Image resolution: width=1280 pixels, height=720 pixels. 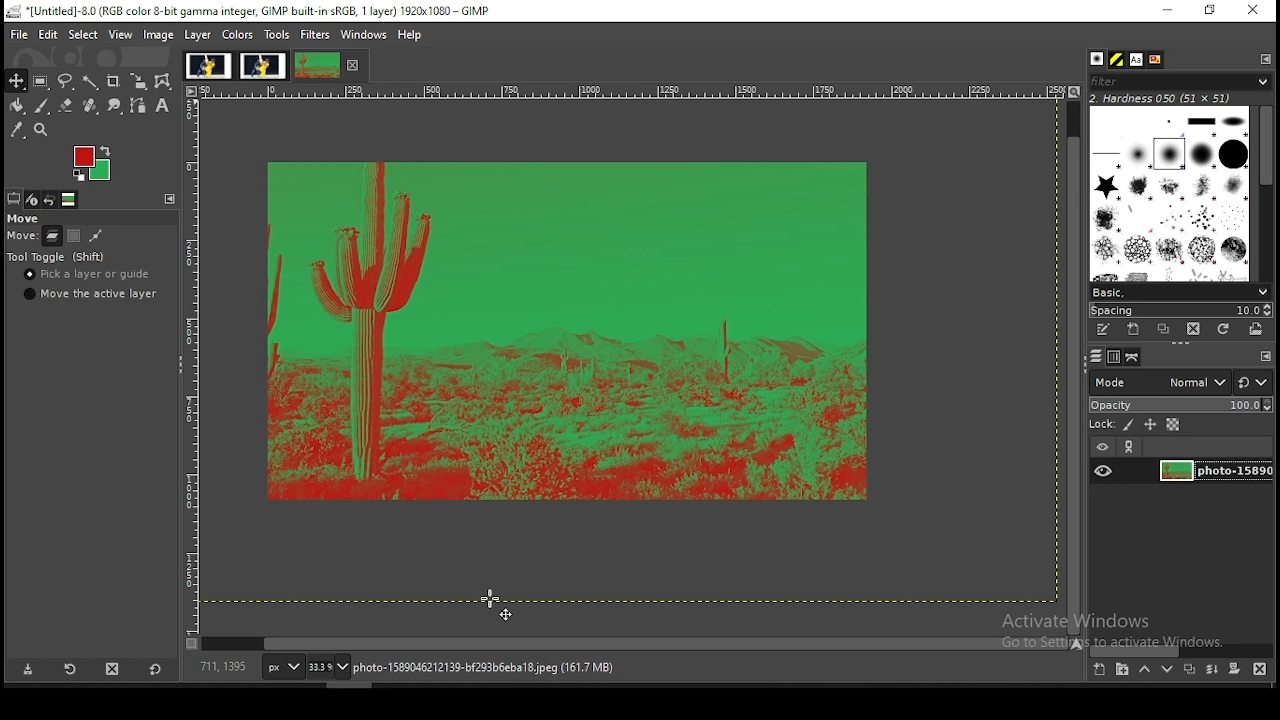 I want to click on paint brush tool, so click(x=43, y=106).